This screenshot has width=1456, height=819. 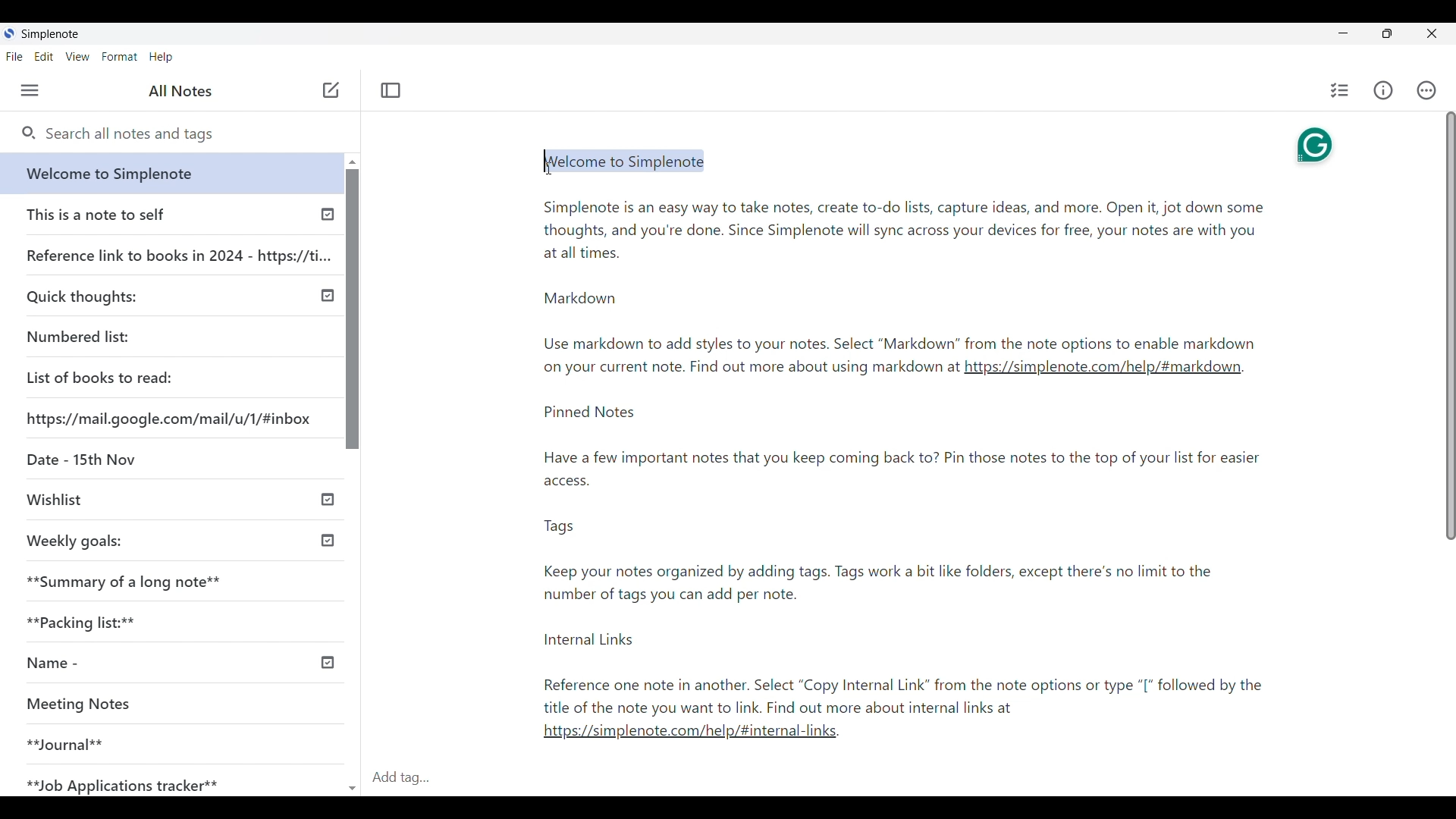 What do you see at coordinates (1450, 328) in the screenshot?
I see `Vertical slide bar` at bounding box center [1450, 328].